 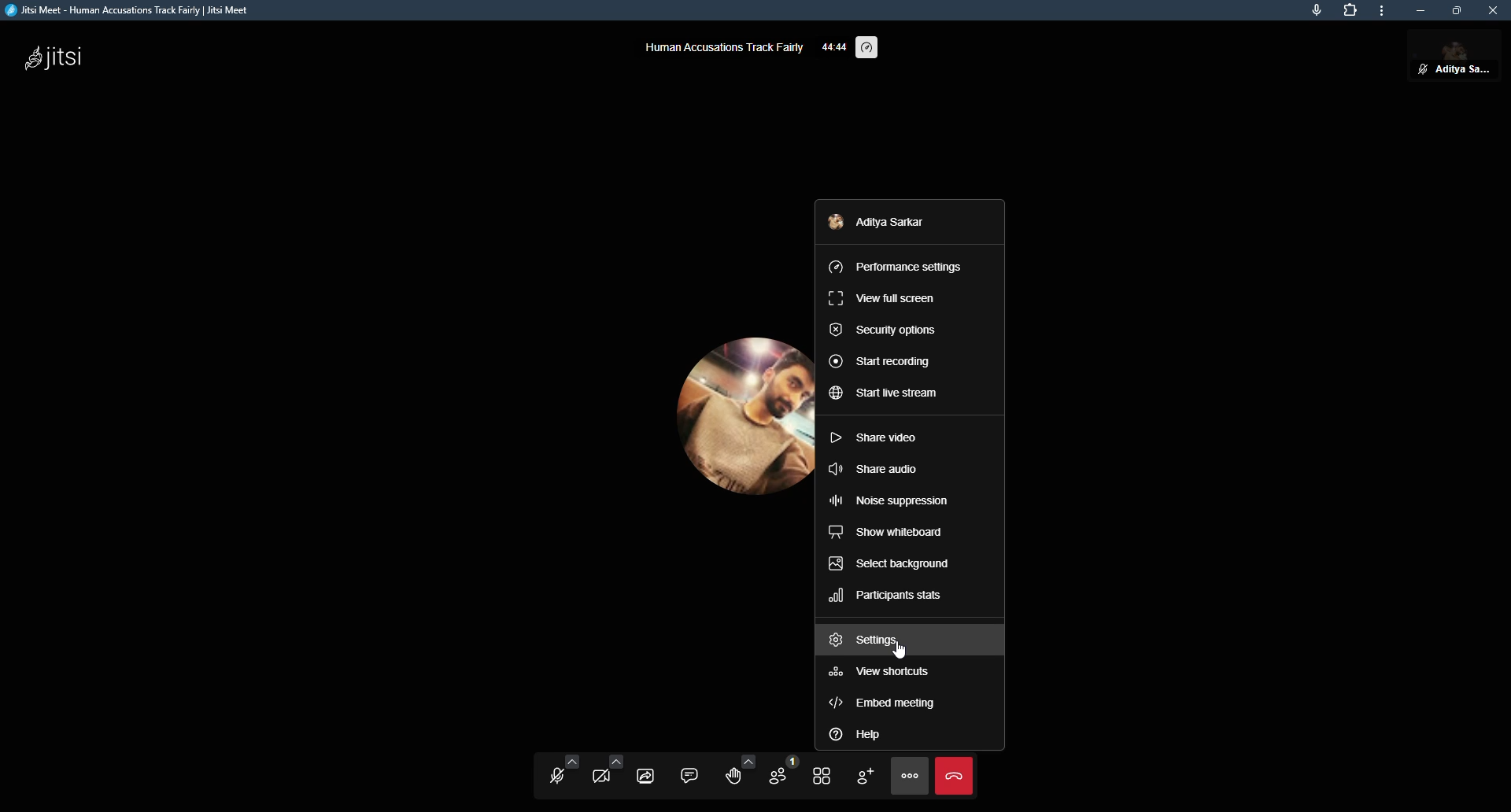 What do you see at coordinates (885, 672) in the screenshot?
I see `view shortcuts` at bounding box center [885, 672].